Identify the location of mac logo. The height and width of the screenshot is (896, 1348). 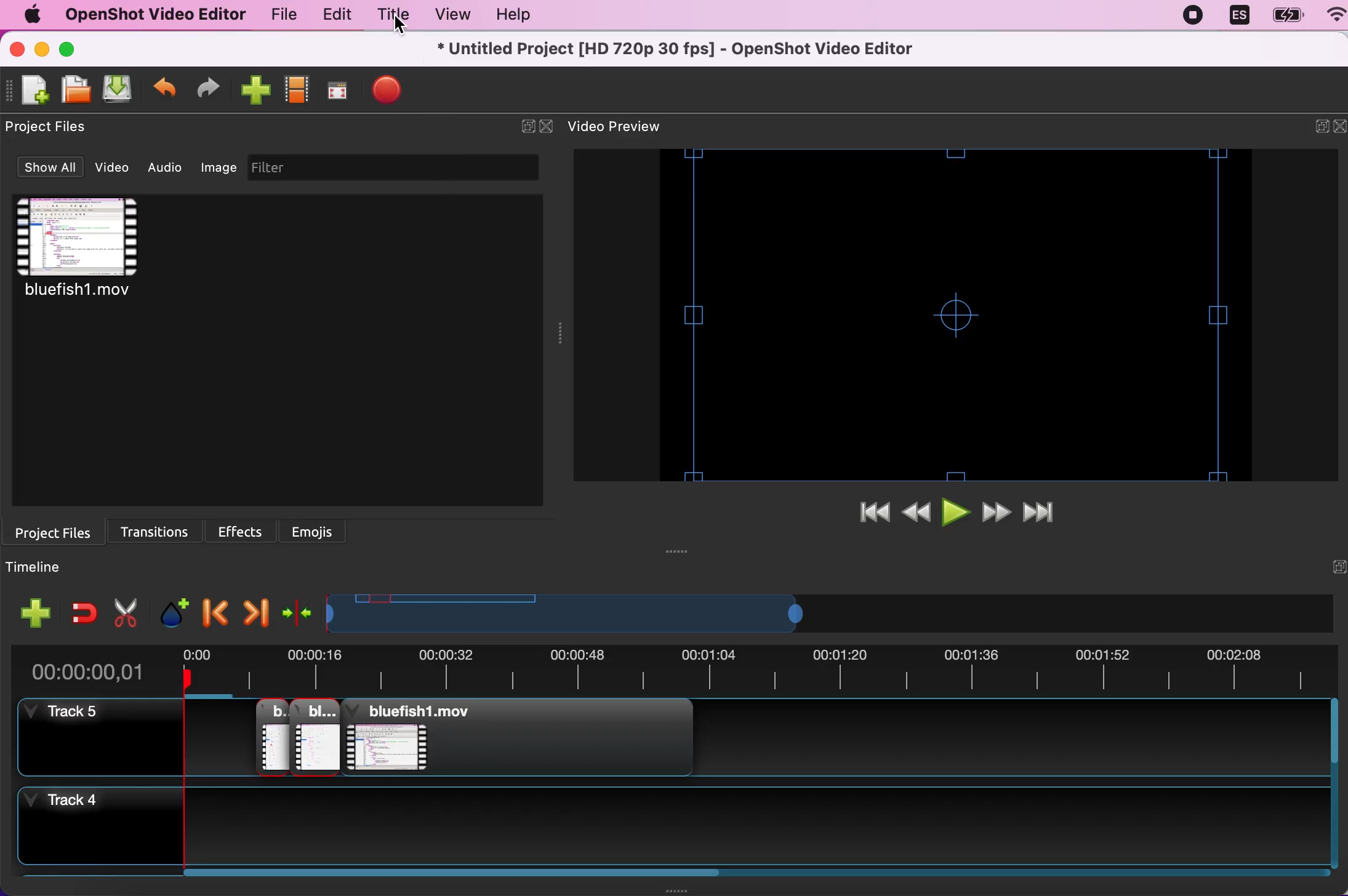
(28, 15).